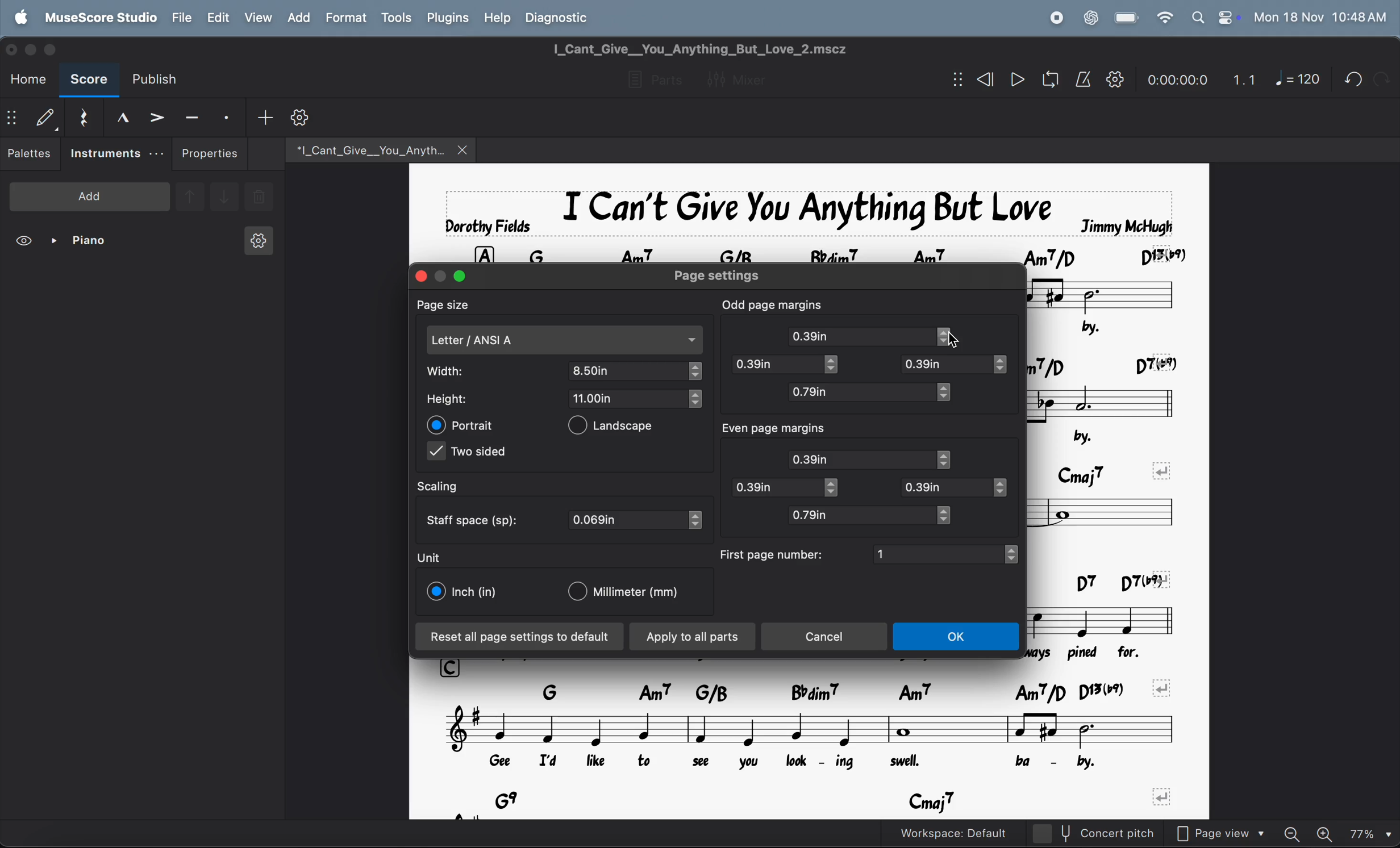  Describe the element at coordinates (441, 273) in the screenshot. I see `minimize` at that location.